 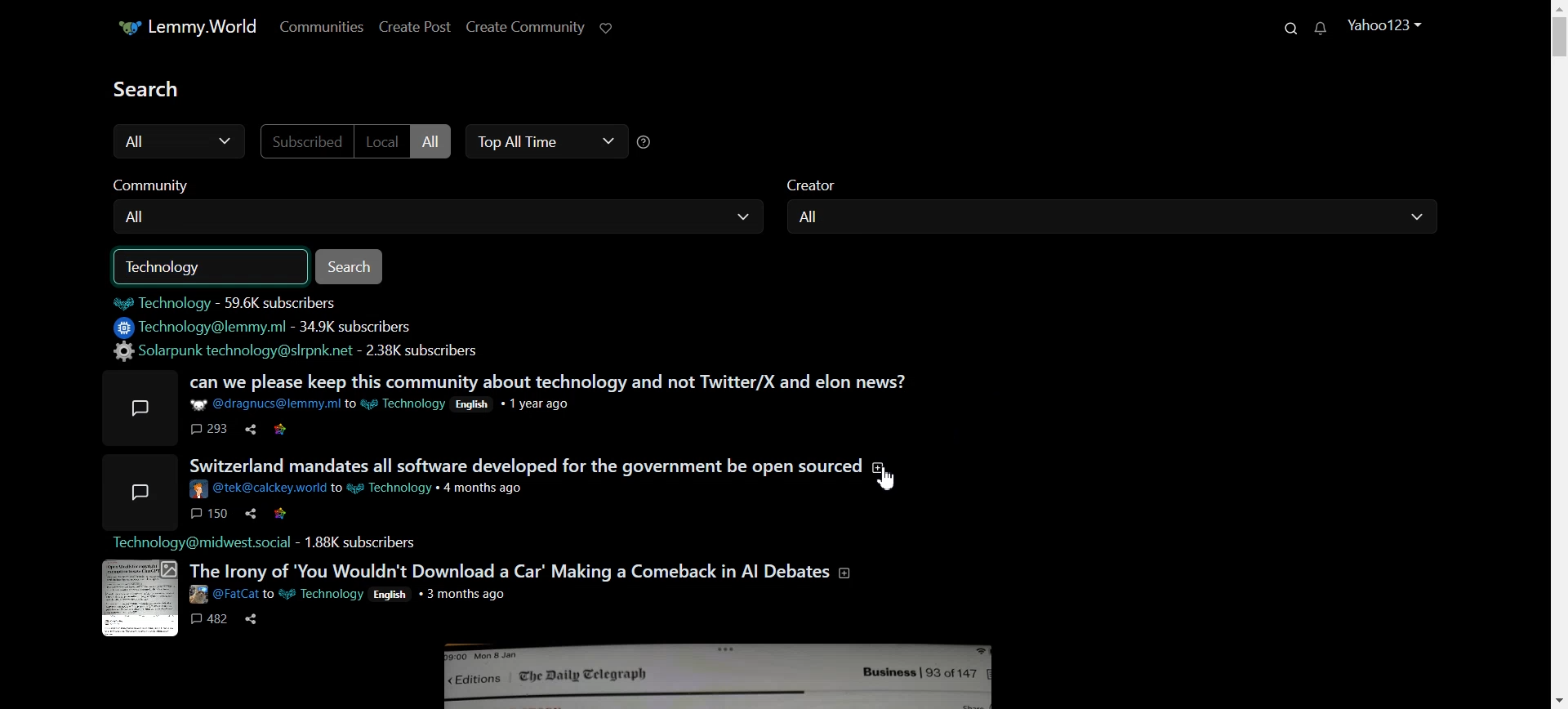 What do you see at coordinates (162, 181) in the screenshot?
I see `Community` at bounding box center [162, 181].